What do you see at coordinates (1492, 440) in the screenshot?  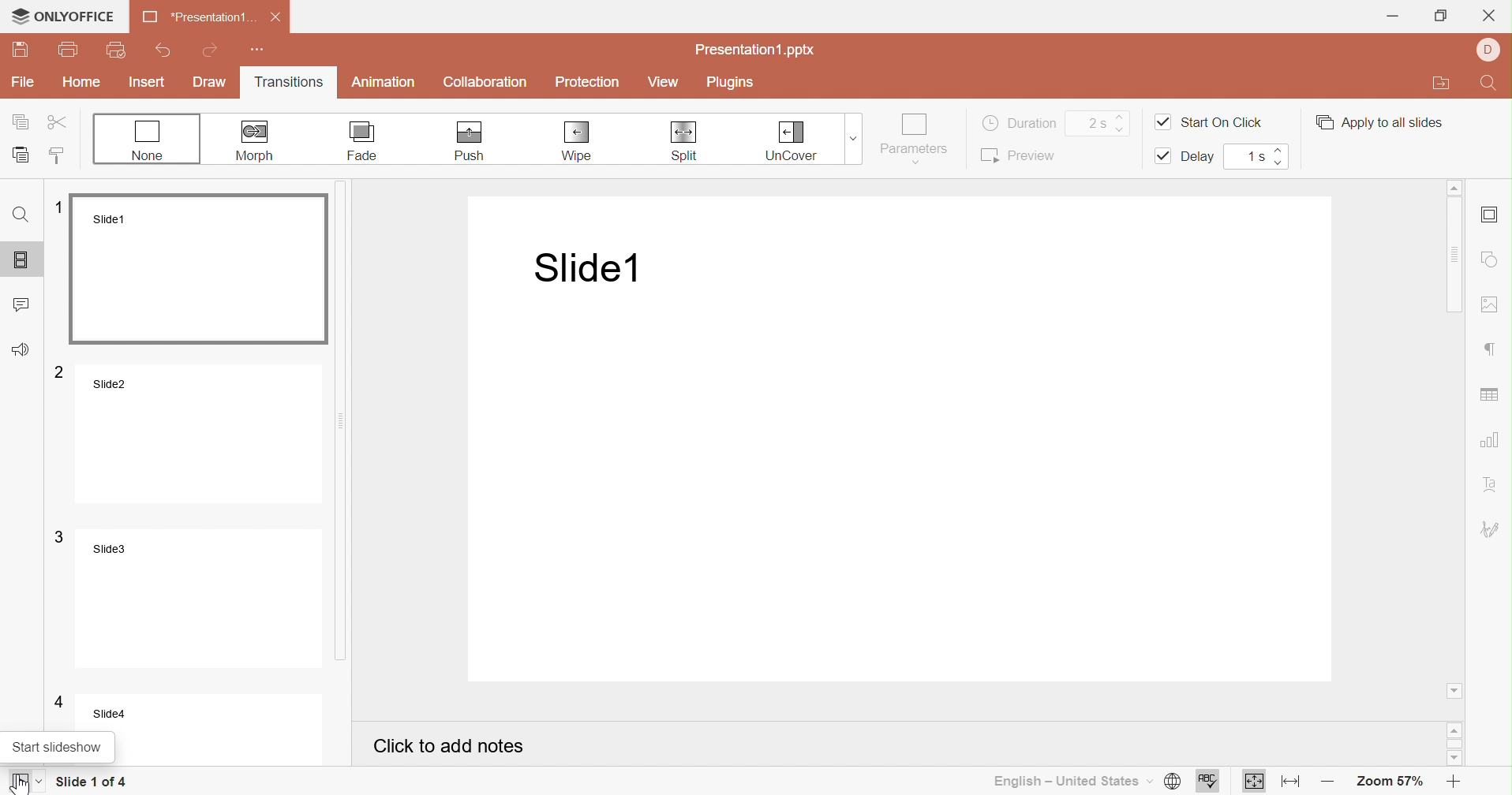 I see `Insert chart` at bounding box center [1492, 440].